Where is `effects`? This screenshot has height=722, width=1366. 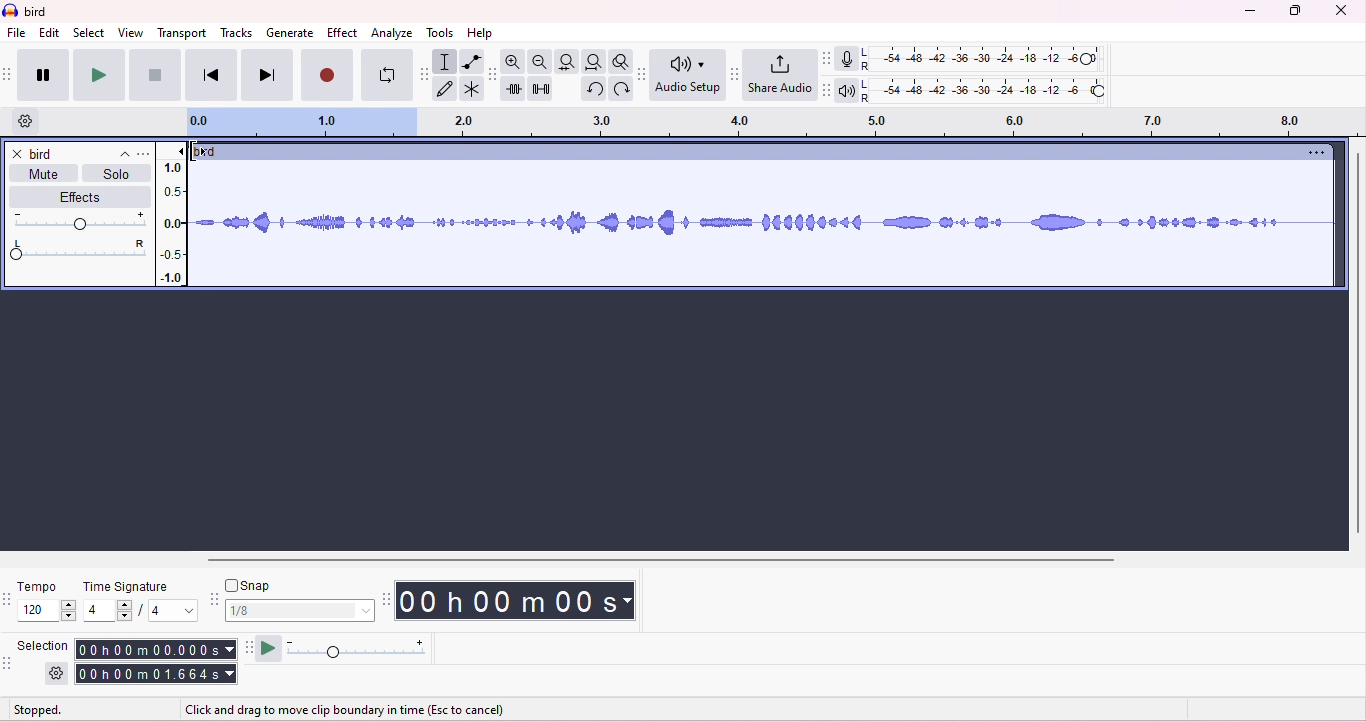 effects is located at coordinates (73, 197).